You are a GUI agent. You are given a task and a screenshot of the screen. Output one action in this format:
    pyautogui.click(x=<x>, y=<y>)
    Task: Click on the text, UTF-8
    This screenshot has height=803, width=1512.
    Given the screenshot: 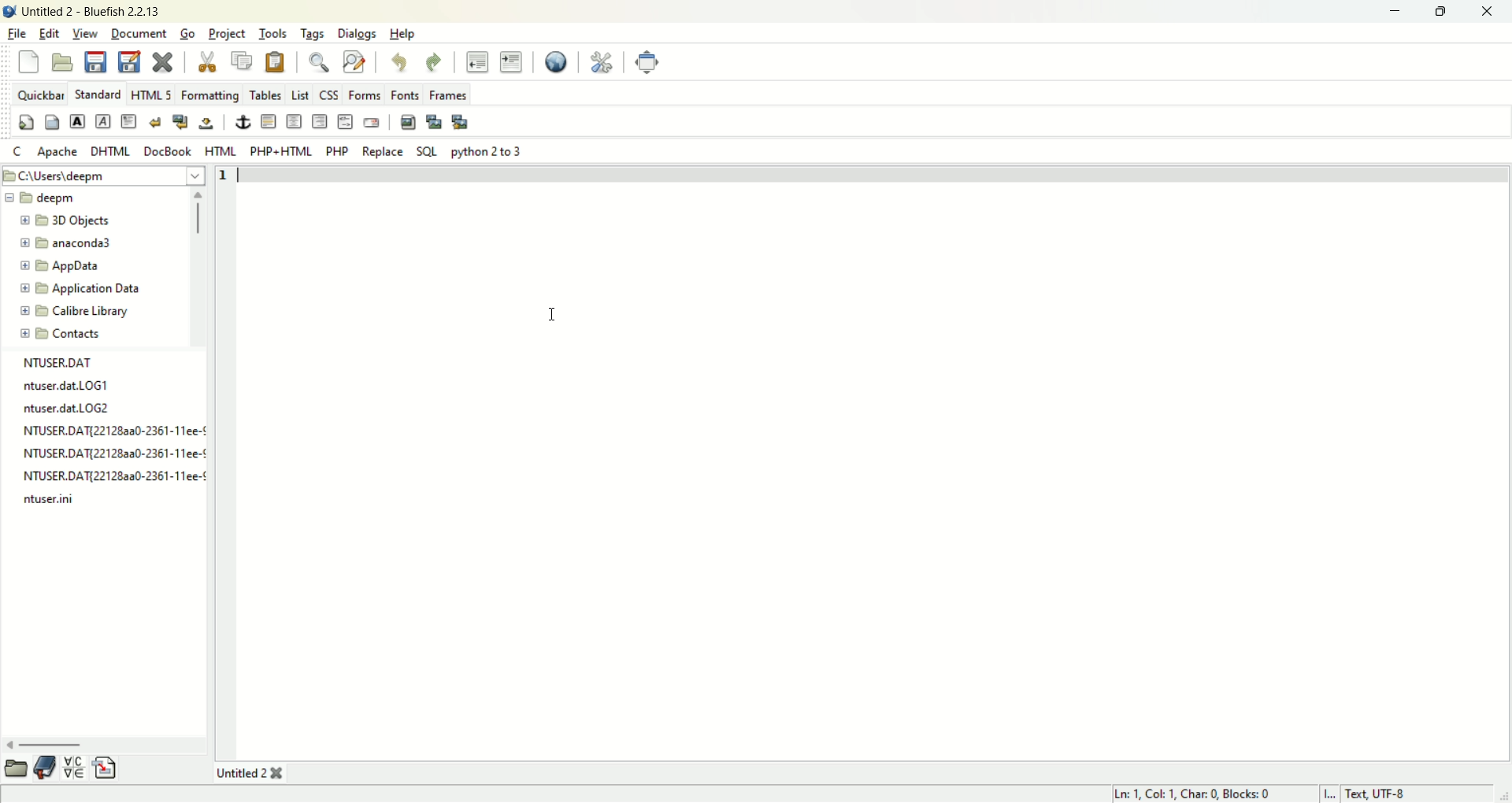 What is the action you would take?
    pyautogui.click(x=1392, y=794)
    